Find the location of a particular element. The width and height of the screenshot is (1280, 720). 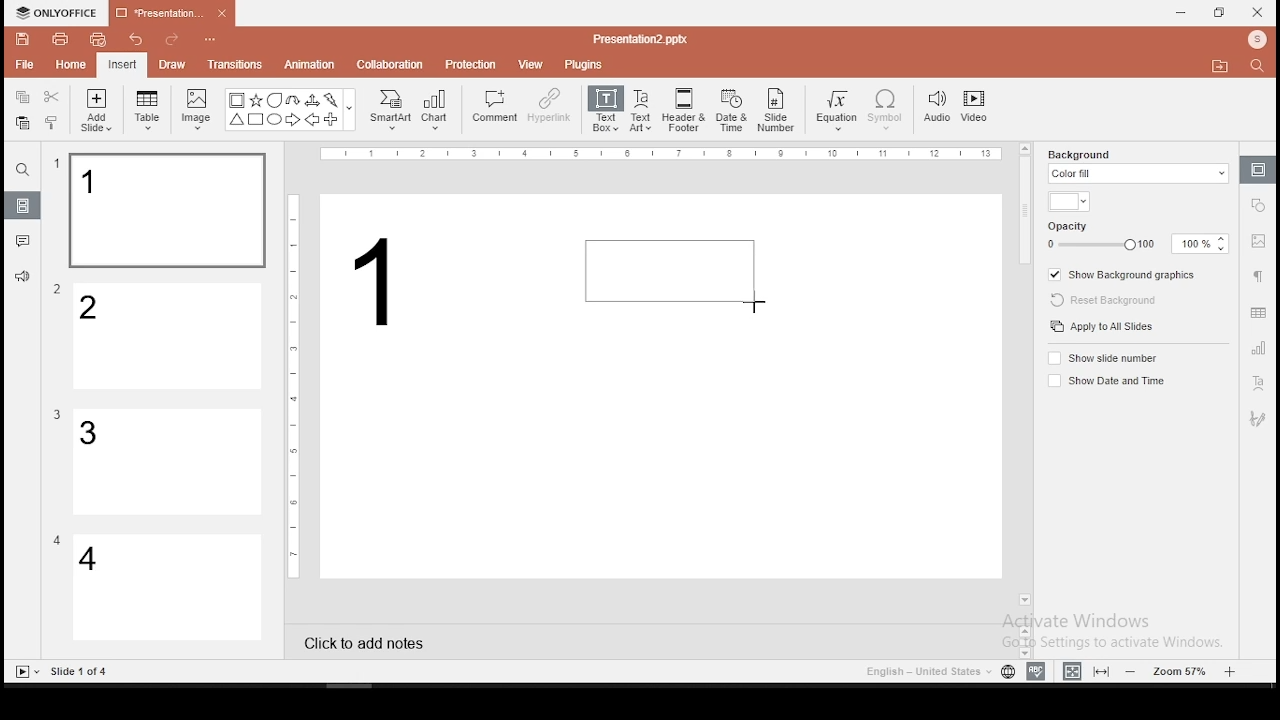

text art is located at coordinates (641, 109).